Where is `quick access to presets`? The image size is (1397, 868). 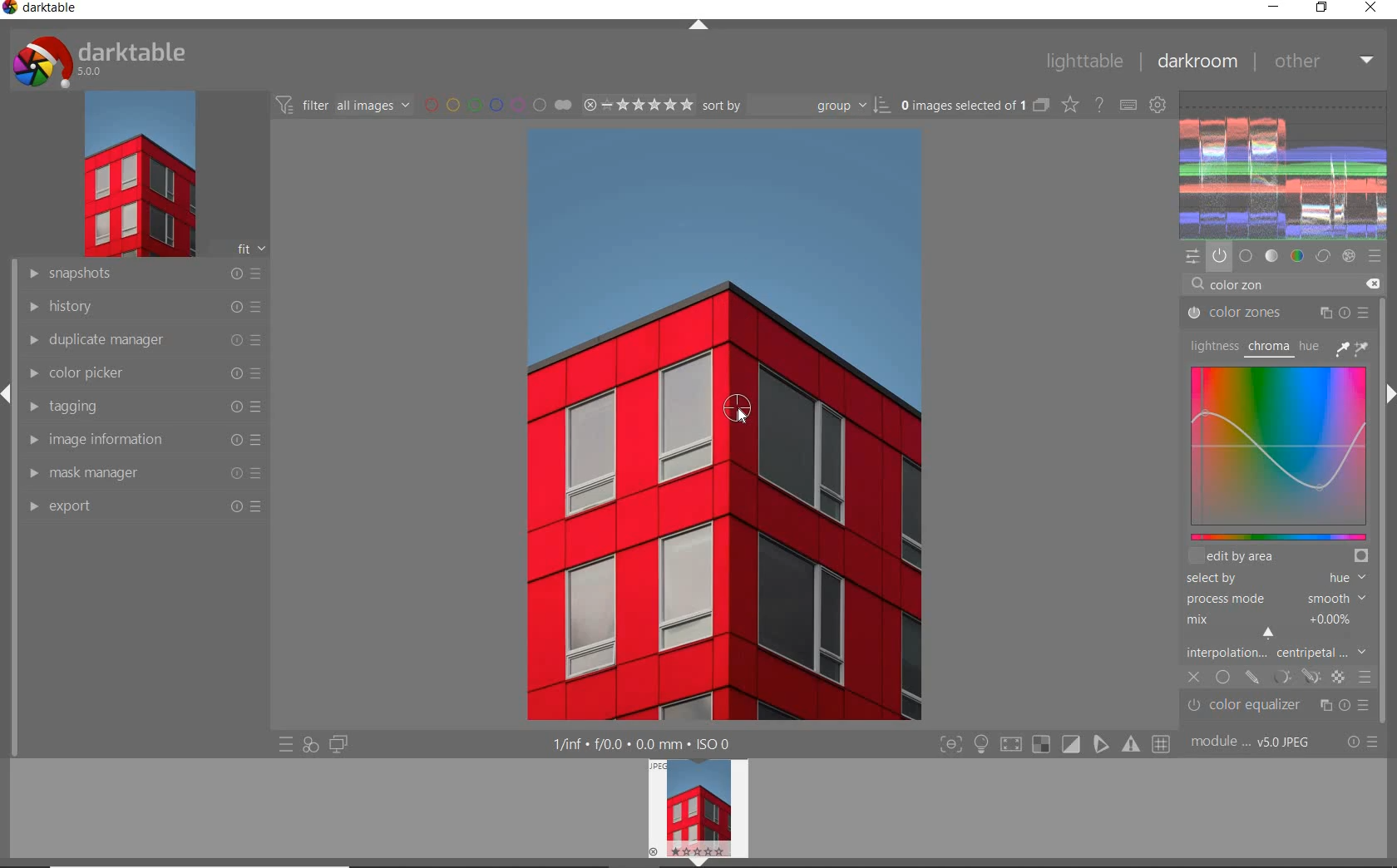
quick access to presets is located at coordinates (286, 746).